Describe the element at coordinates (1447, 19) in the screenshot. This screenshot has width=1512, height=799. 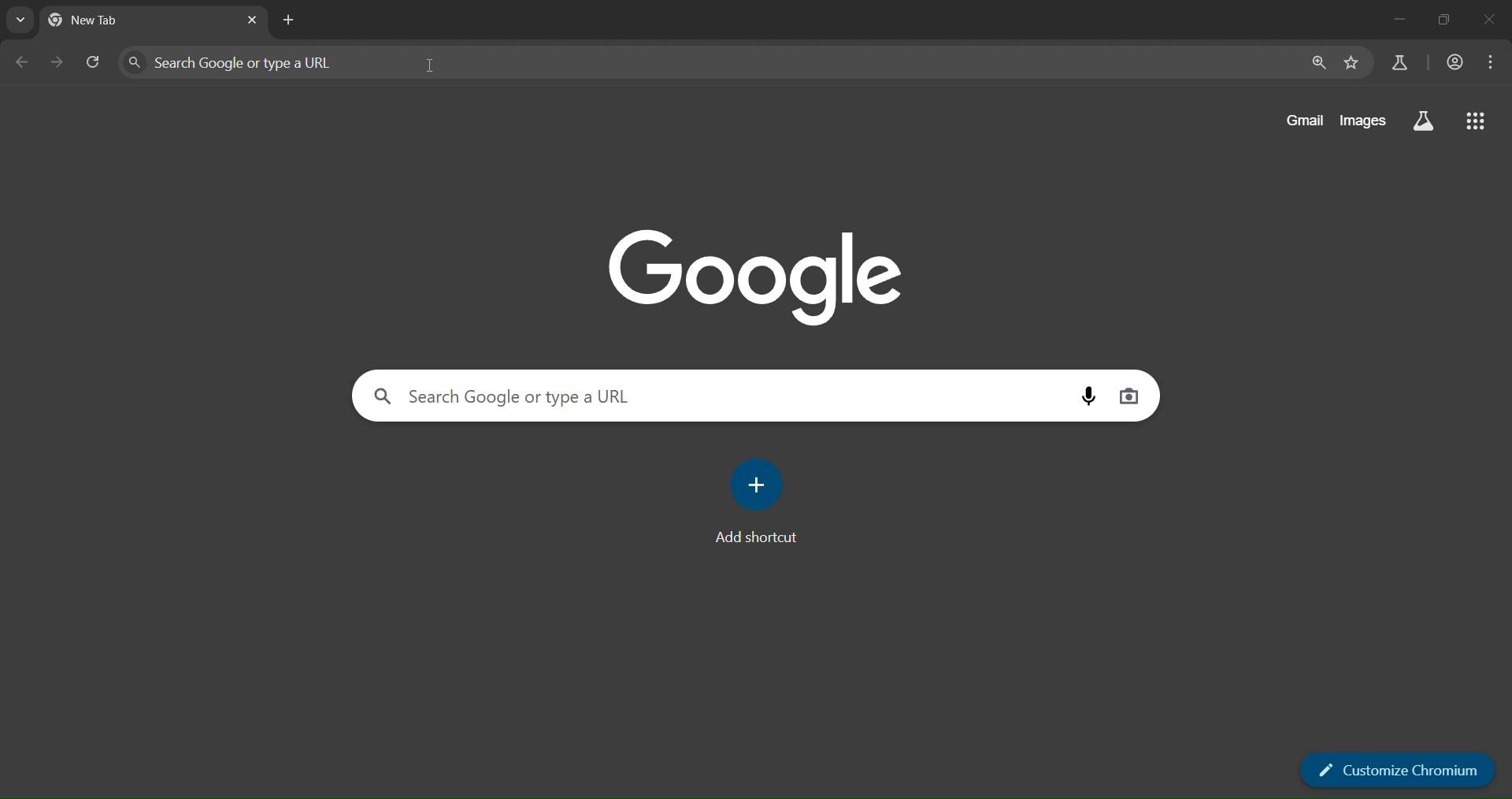
I see `restore down` at that location.